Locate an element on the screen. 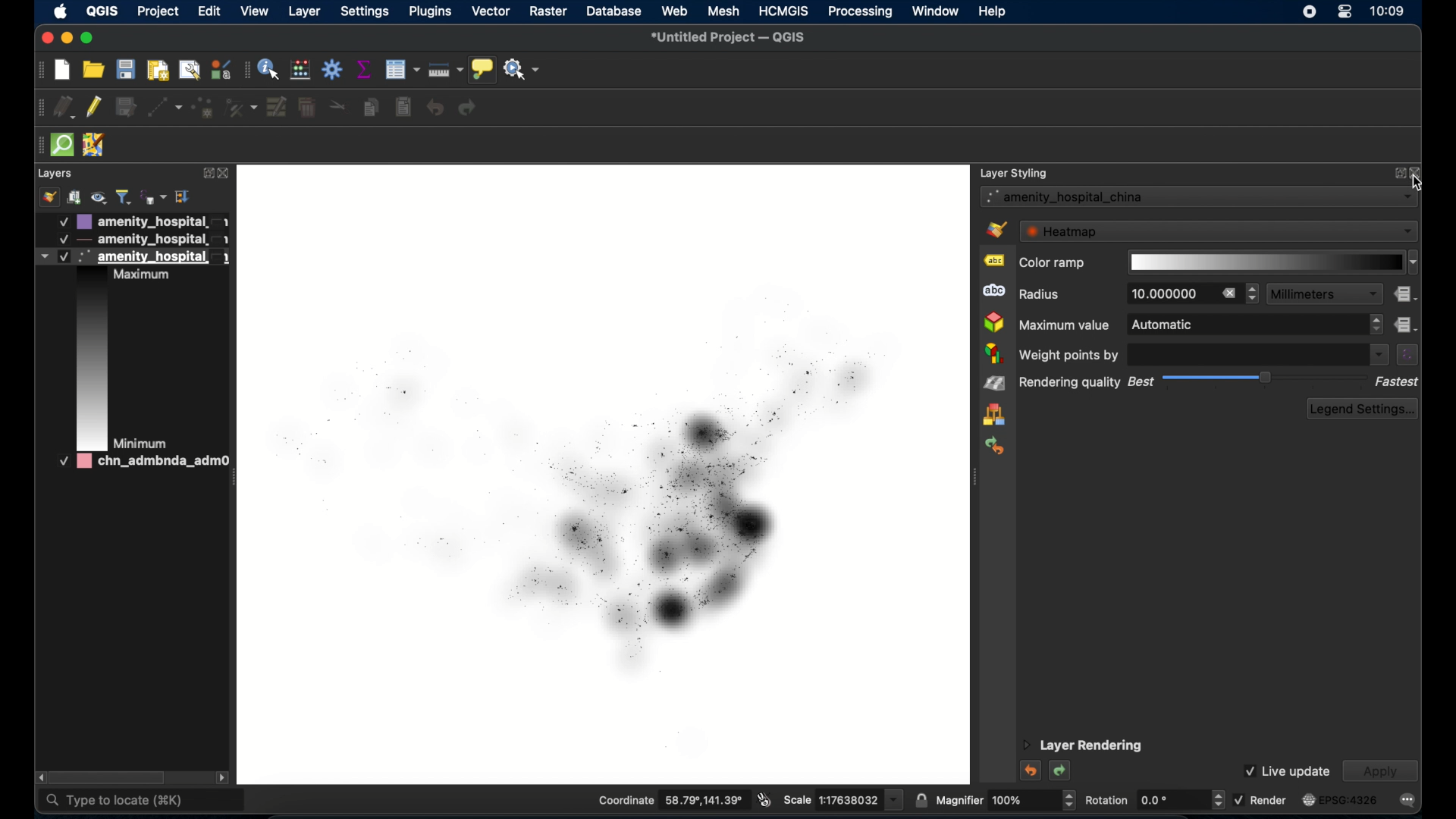 The height and width of the screenshot is (819, 1456). filter legend by expression is located at coordinates (152, 197).